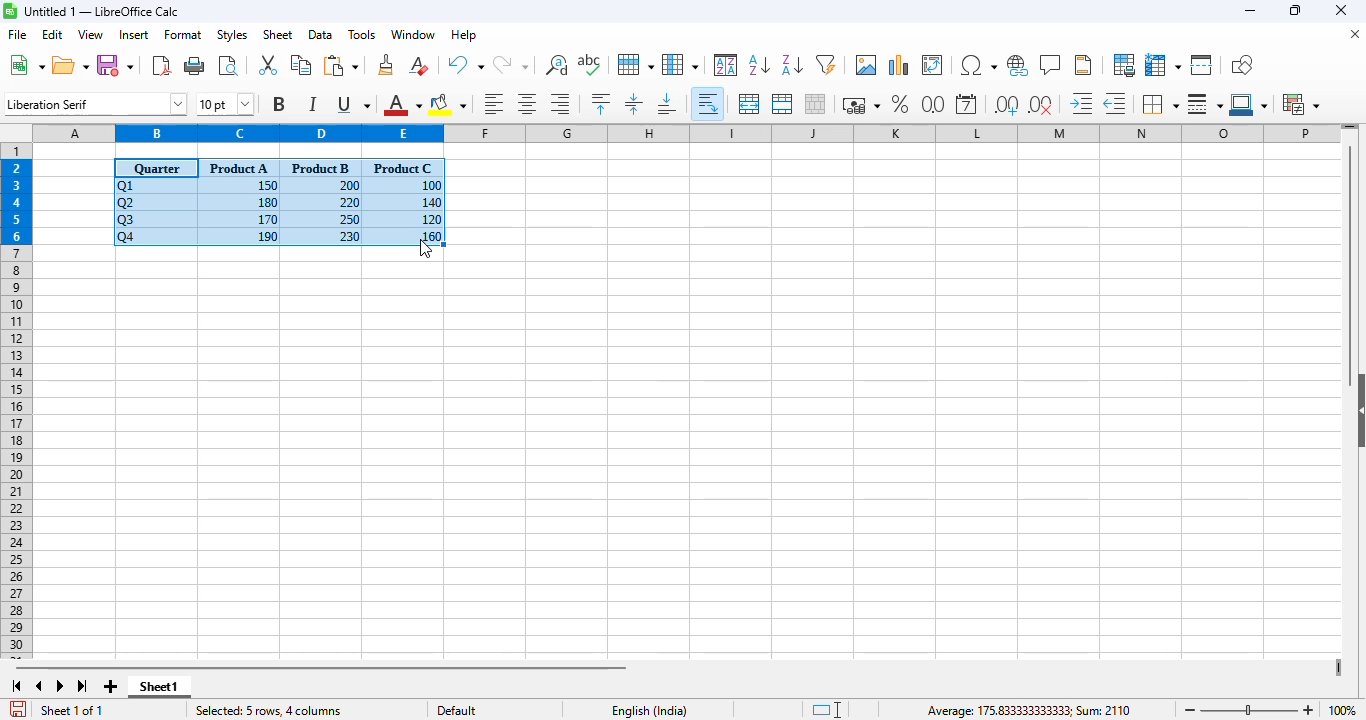 Image resolution: width=1366 pixels, height=720 pixels. I want to click on insert comment, so click(1051, 65).